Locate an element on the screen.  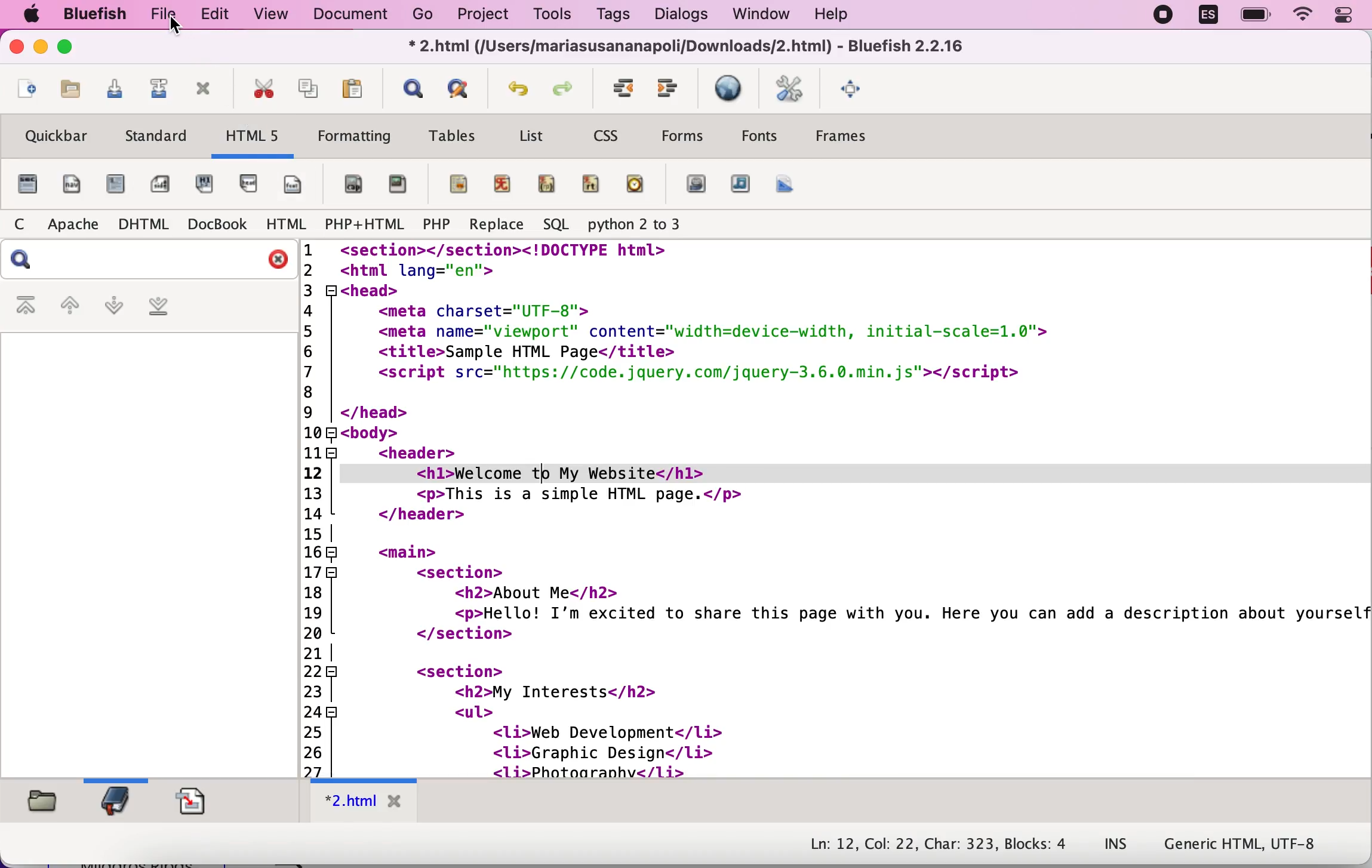
apple menu is located at coordinates (32, 14).